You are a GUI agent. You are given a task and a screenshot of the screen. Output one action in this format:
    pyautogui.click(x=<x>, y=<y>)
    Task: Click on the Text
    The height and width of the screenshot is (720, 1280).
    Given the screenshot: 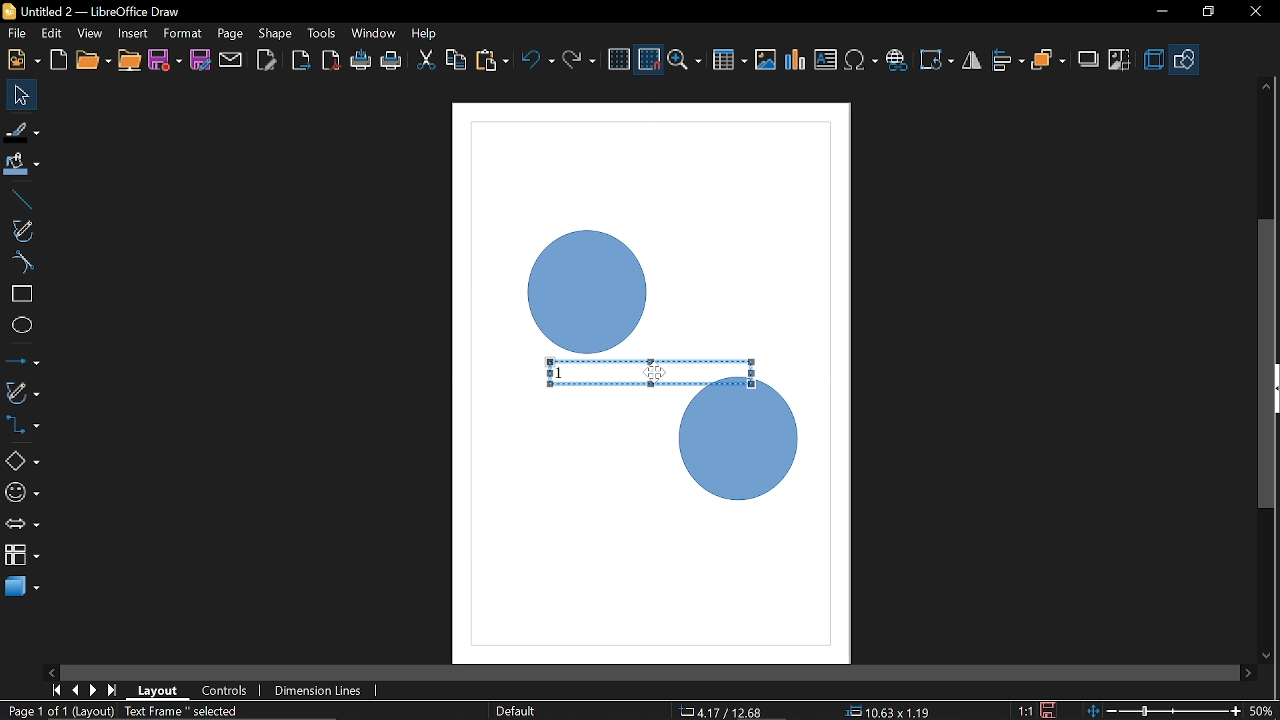 What is the action you would take?
    pyautogui.click(x=826, y=60)
    